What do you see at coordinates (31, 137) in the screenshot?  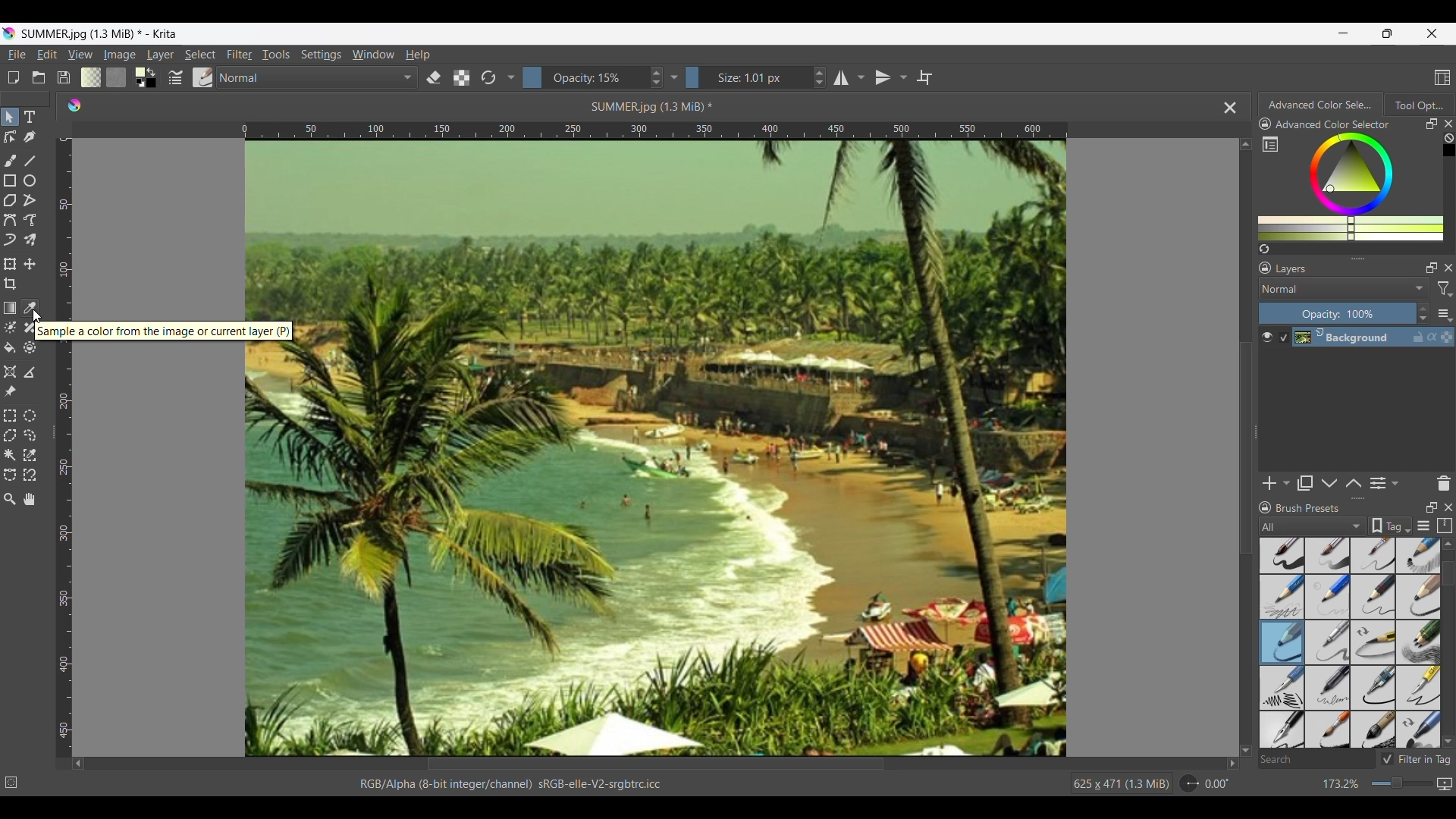 I see `Calligraphy` at bounding box center [31, 137].